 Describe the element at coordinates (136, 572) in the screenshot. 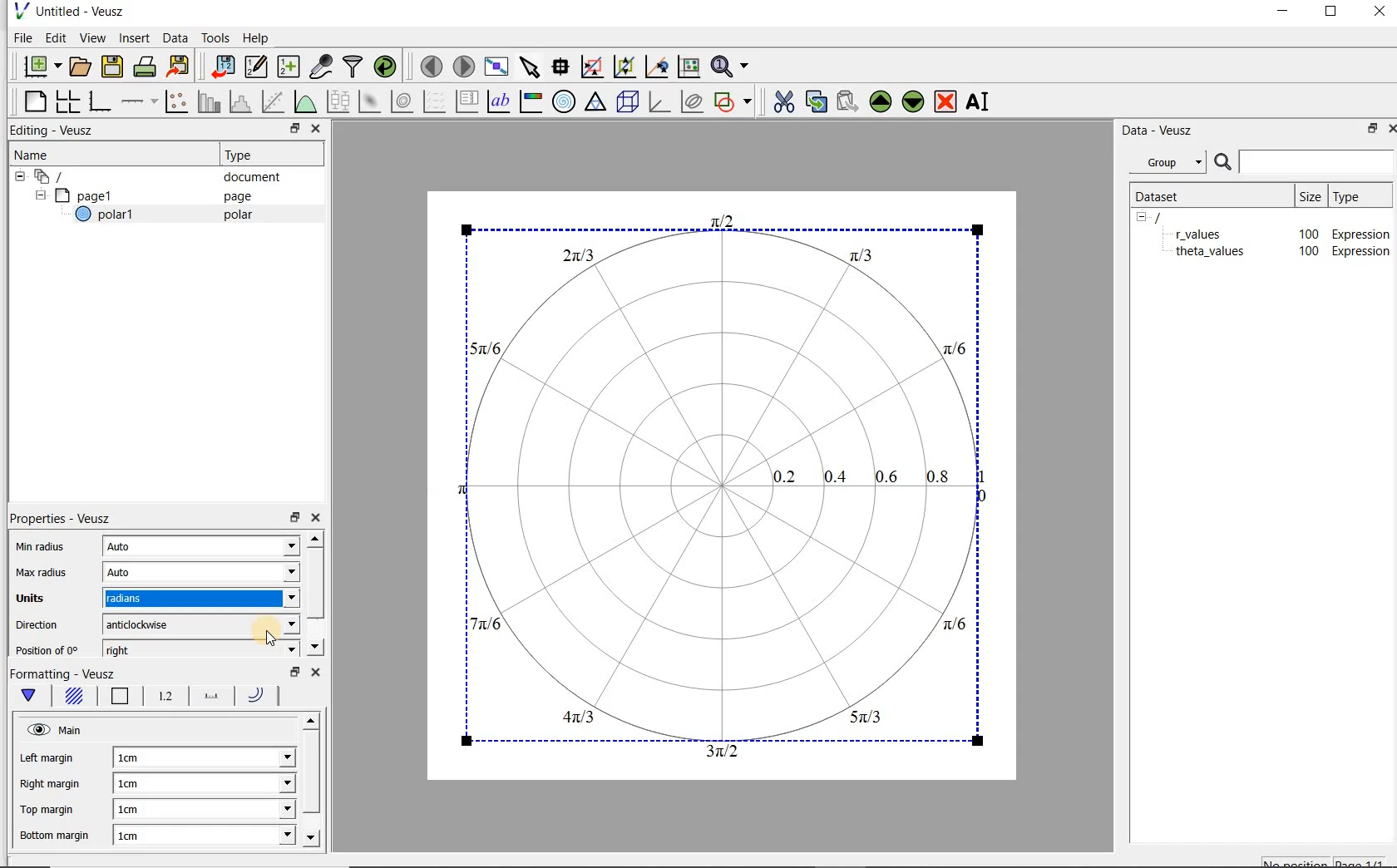

I see `Auto` at that location.